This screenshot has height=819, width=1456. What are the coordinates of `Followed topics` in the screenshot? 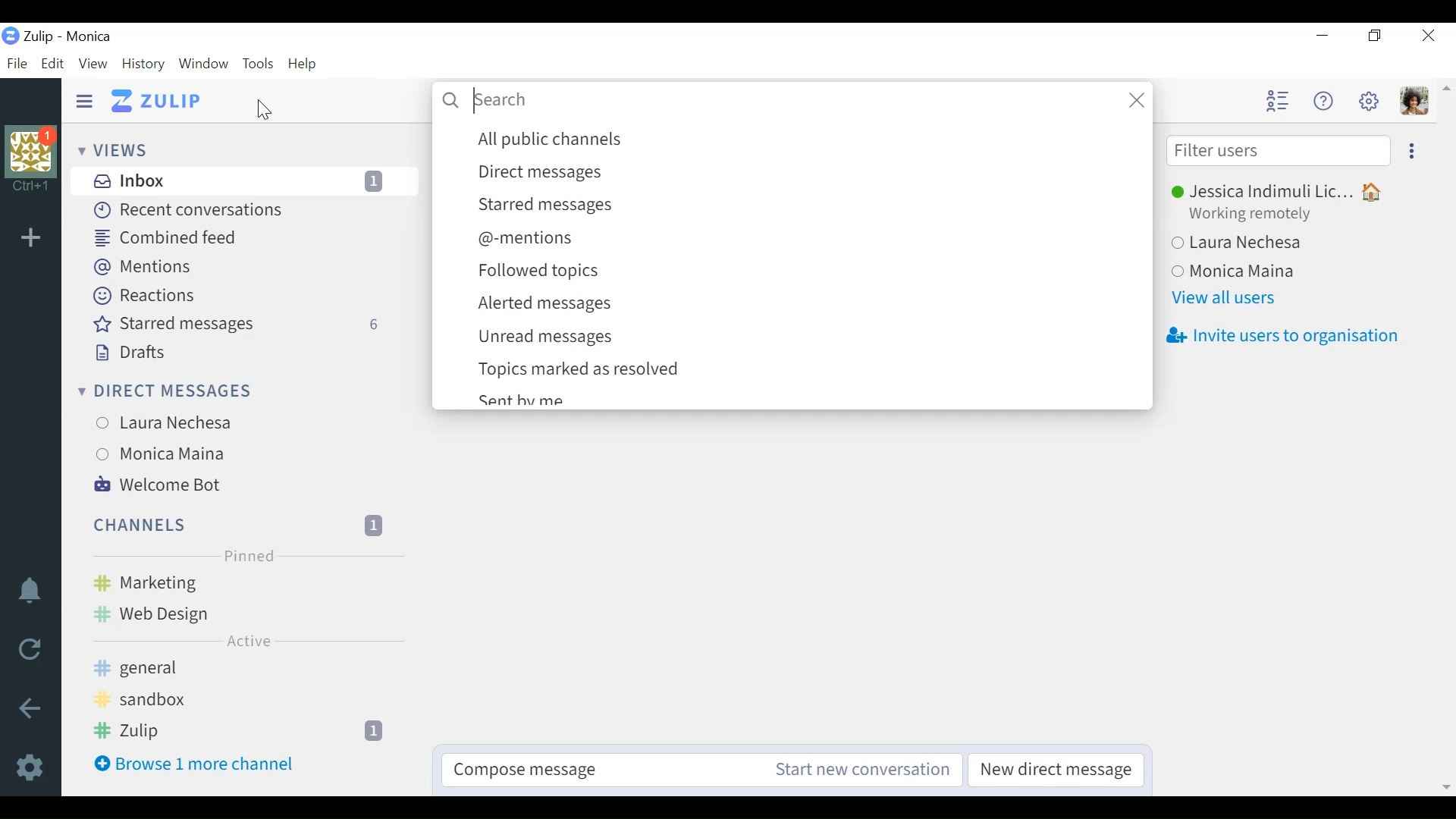 It's located at (808, 271).